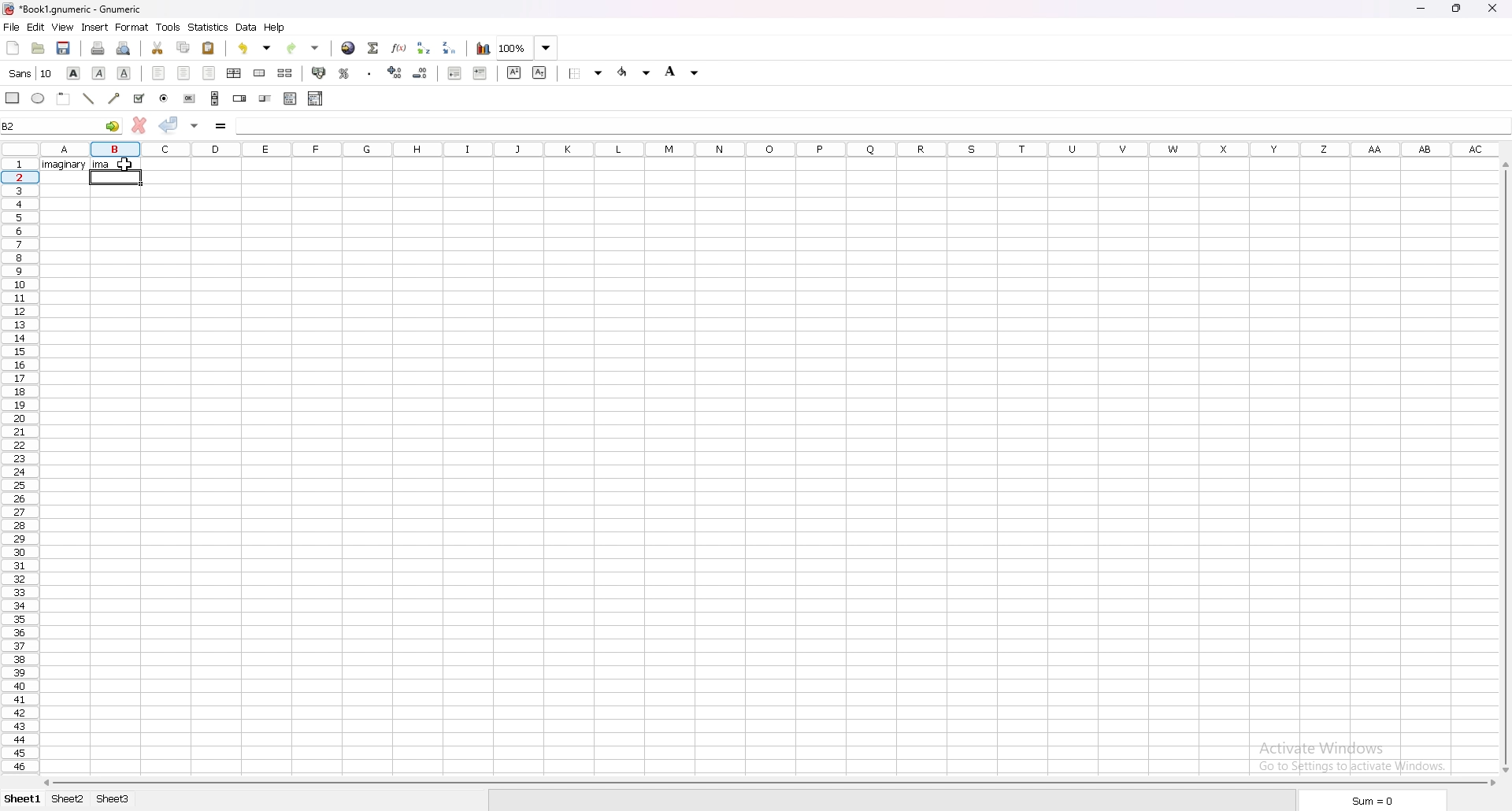 This screenshot has height=811, width=1512. Describe the element at coordinates (513, 72) in the screenshot. I see `superscript` at that location.